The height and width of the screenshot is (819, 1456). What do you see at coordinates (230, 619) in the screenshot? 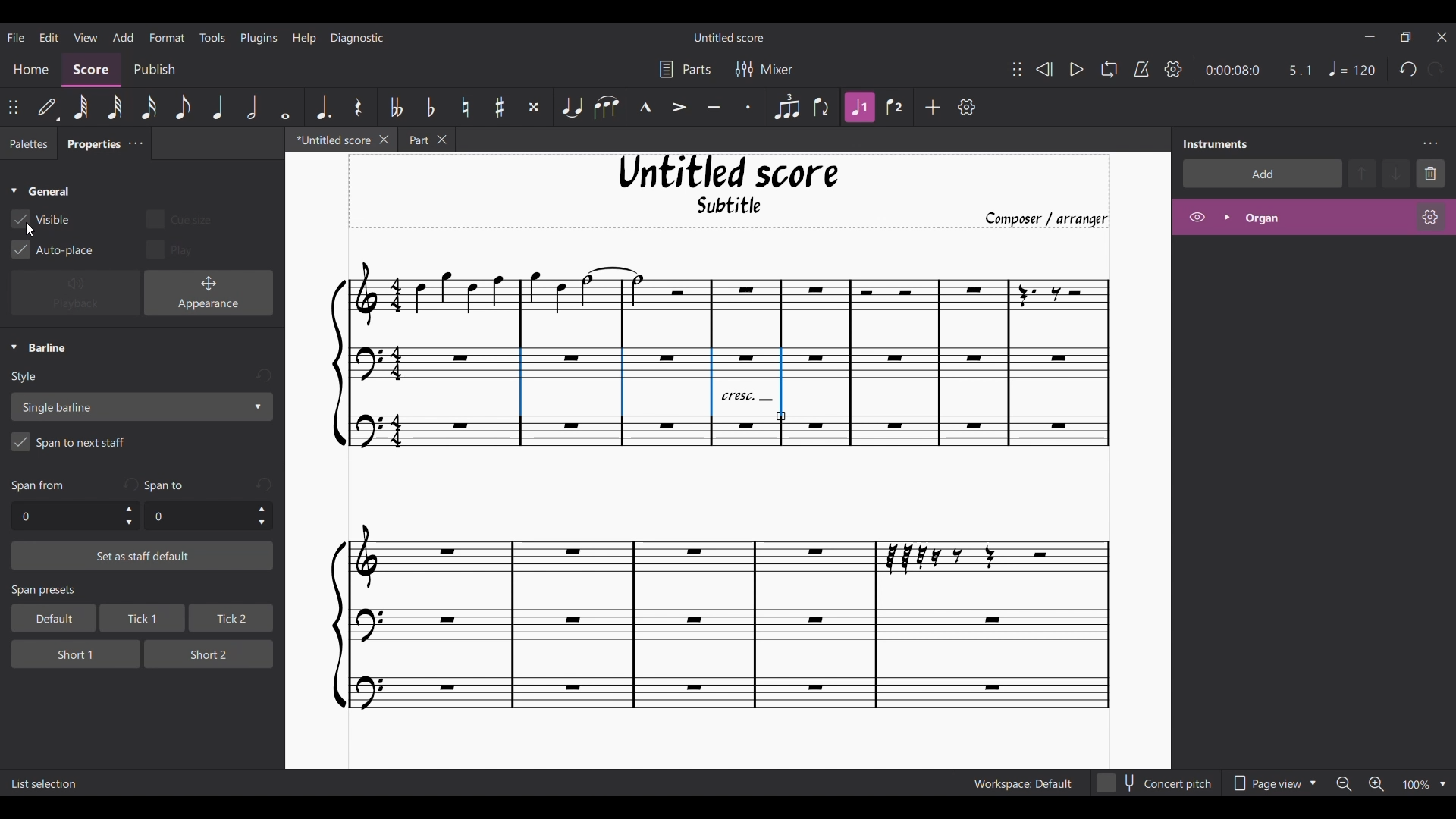
I see `tick 2` at bounding box center [230, 619].